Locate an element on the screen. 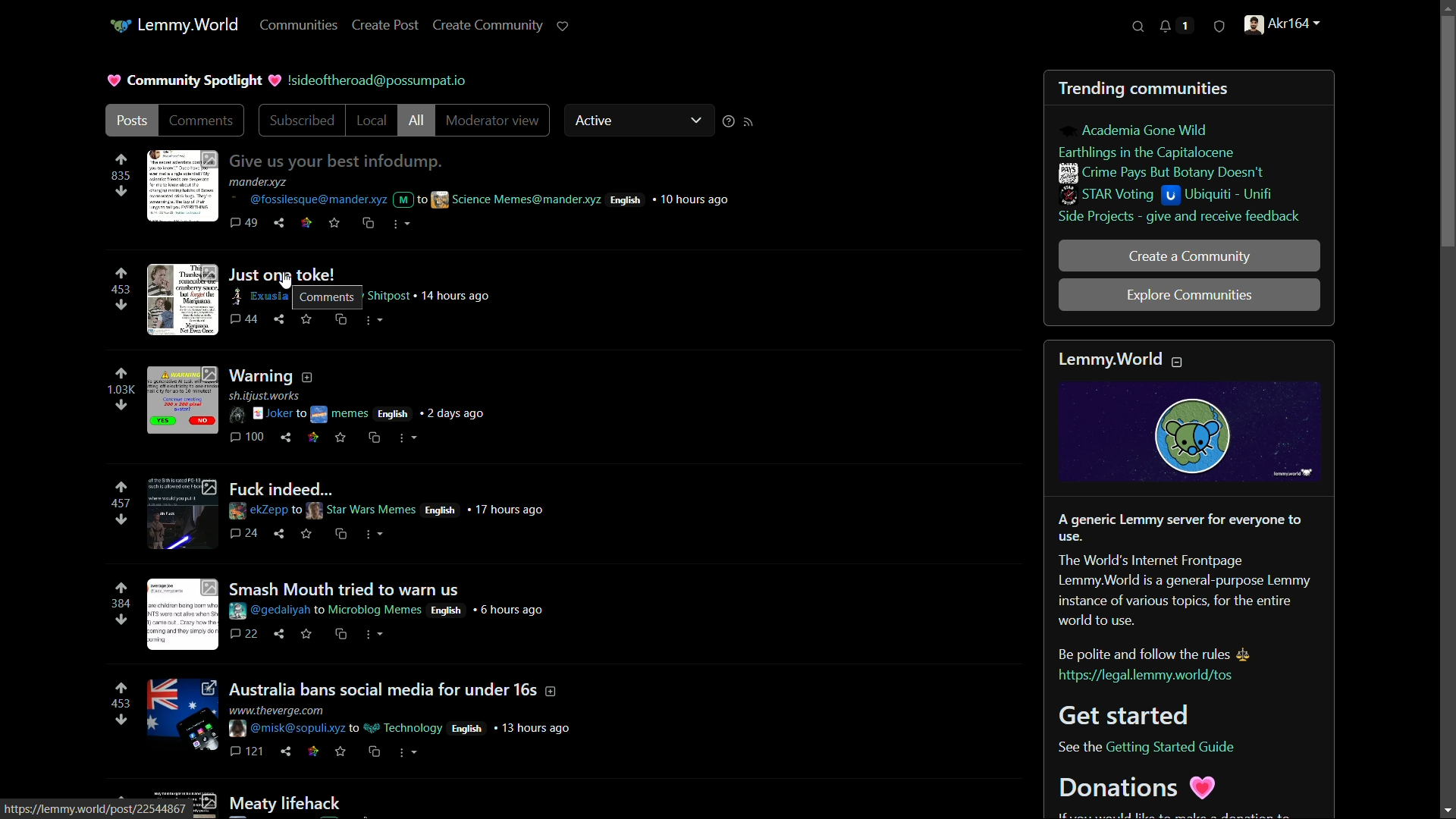 The image size is (1456, 819). moderator view is located at coordinates (493, 121).